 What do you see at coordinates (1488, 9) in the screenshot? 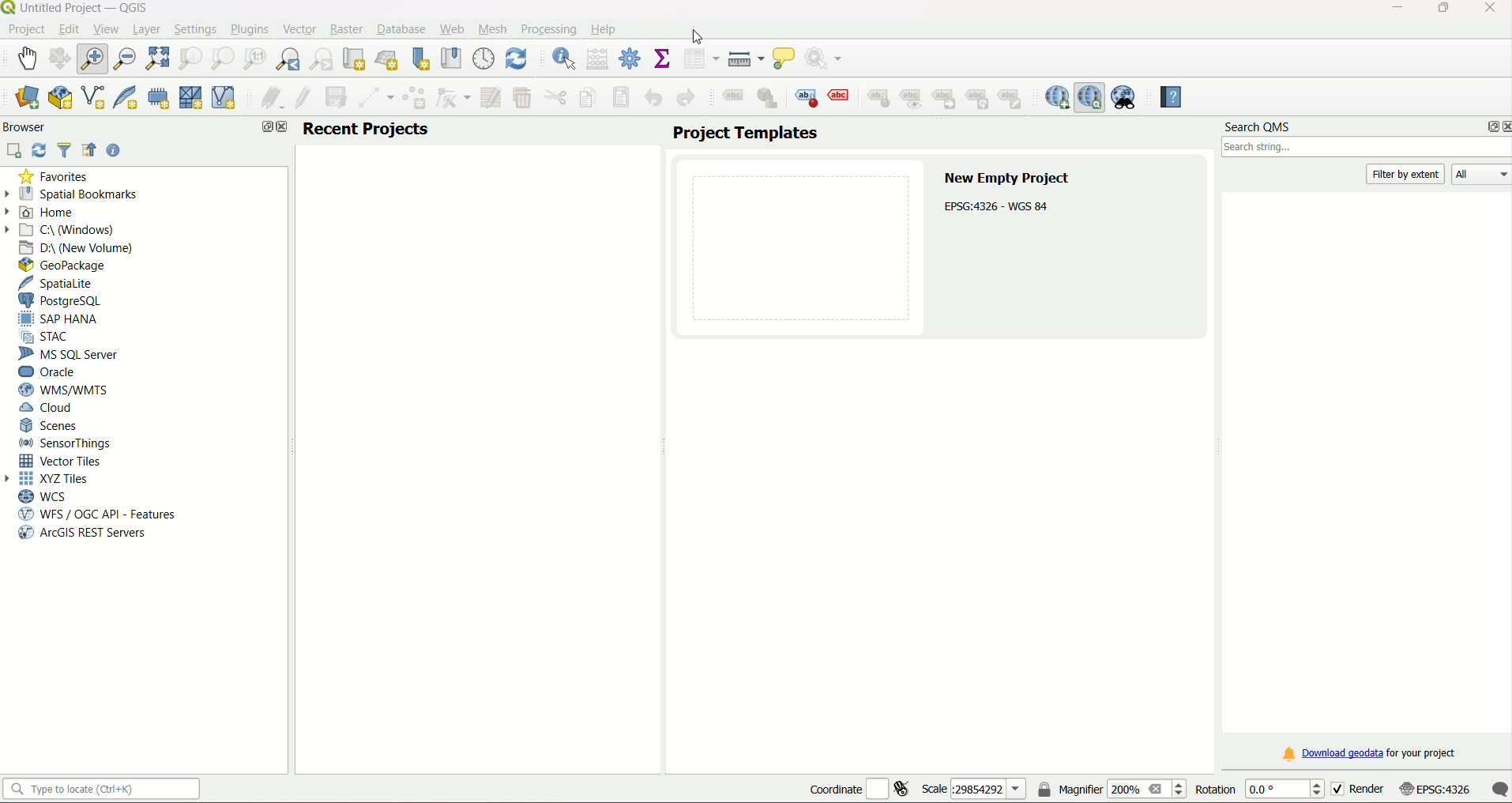
I see `close` at bounding box center [1488, 9].